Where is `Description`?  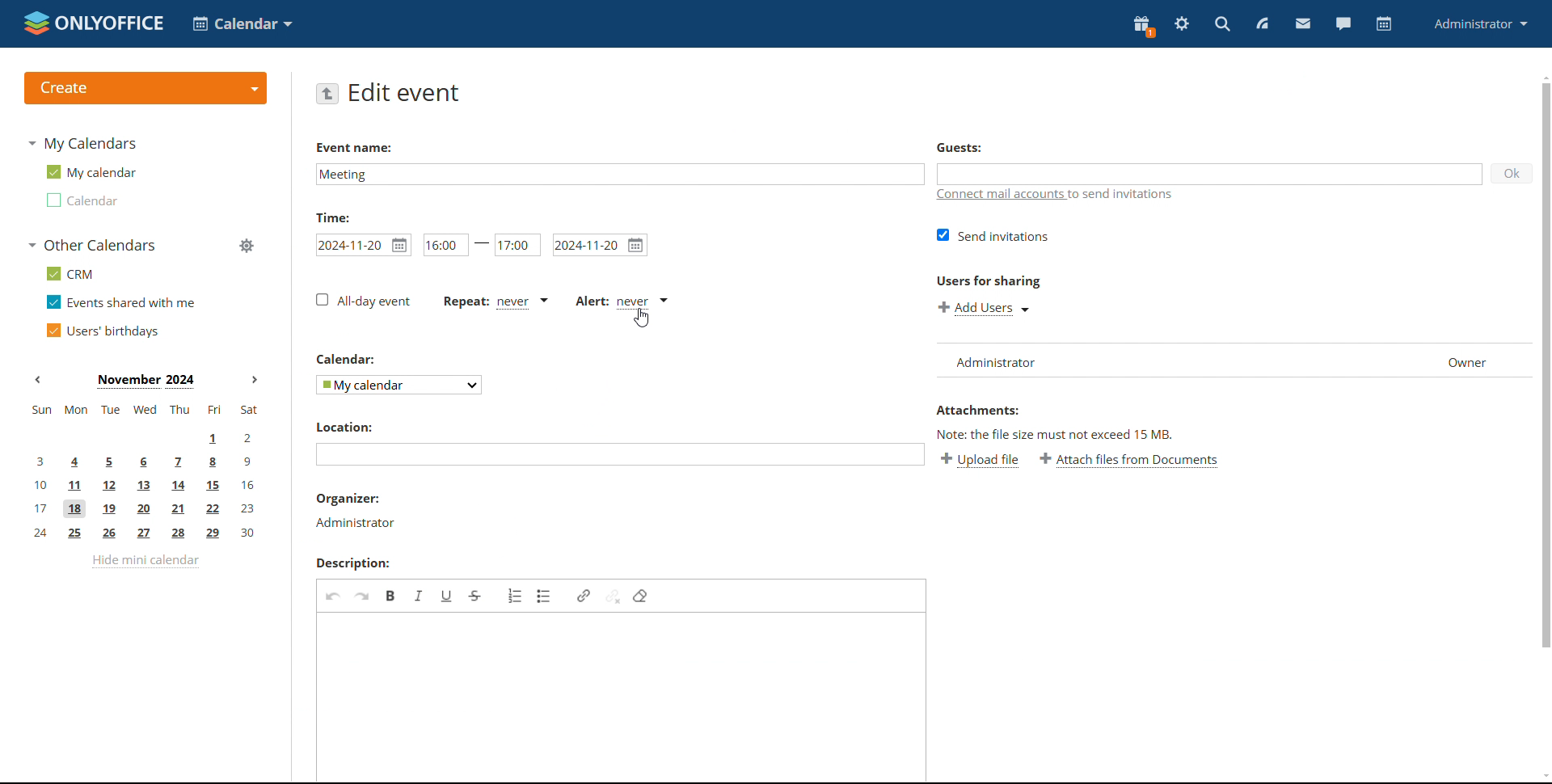 Description is located at coordinates (352, 563).